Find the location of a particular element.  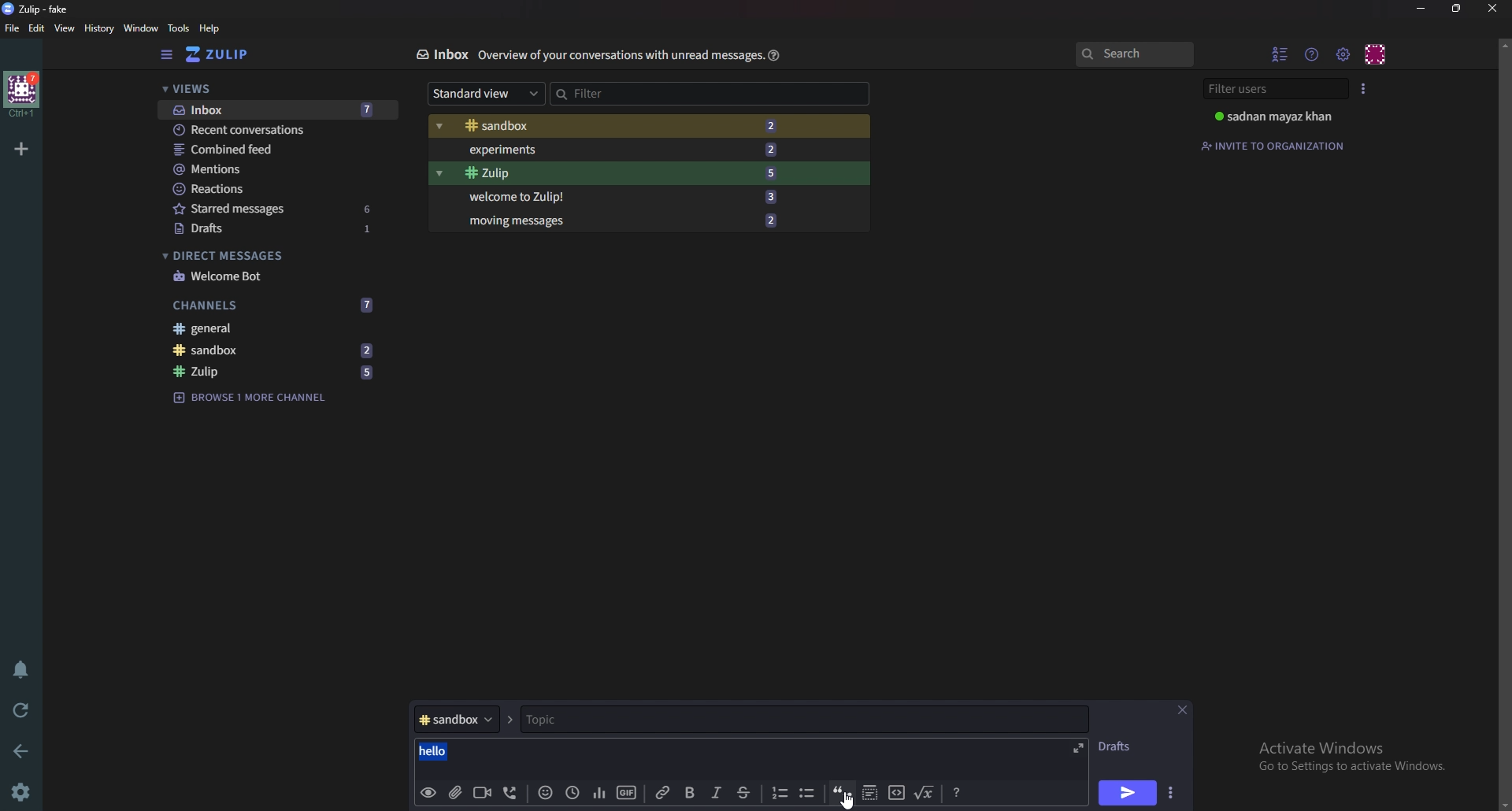

close is located at coordinates (1184, 709).